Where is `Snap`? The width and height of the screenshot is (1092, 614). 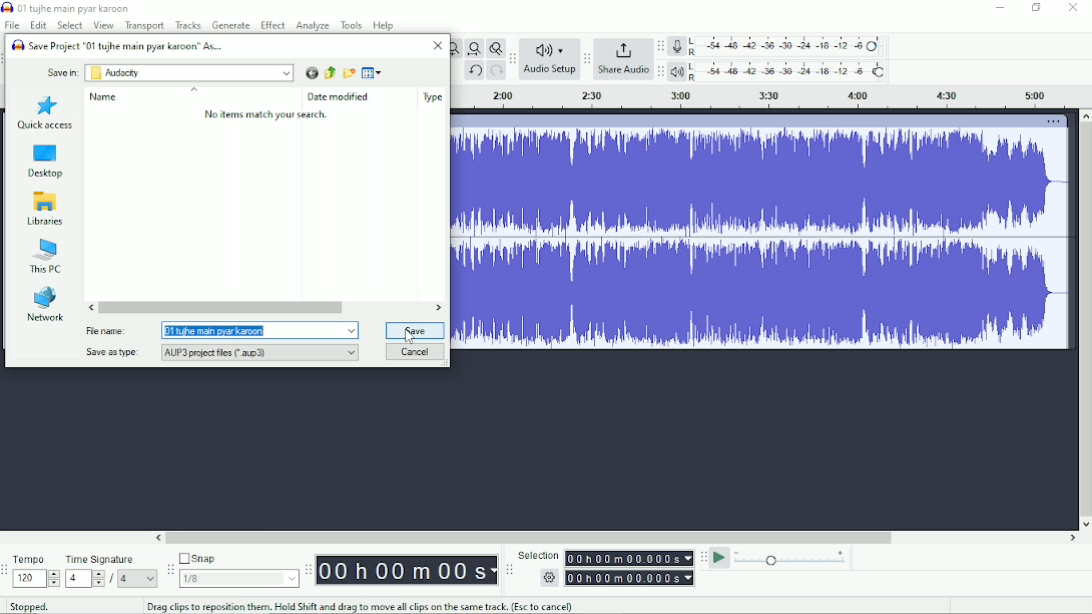
Snap is located at coordinates (237, 570).